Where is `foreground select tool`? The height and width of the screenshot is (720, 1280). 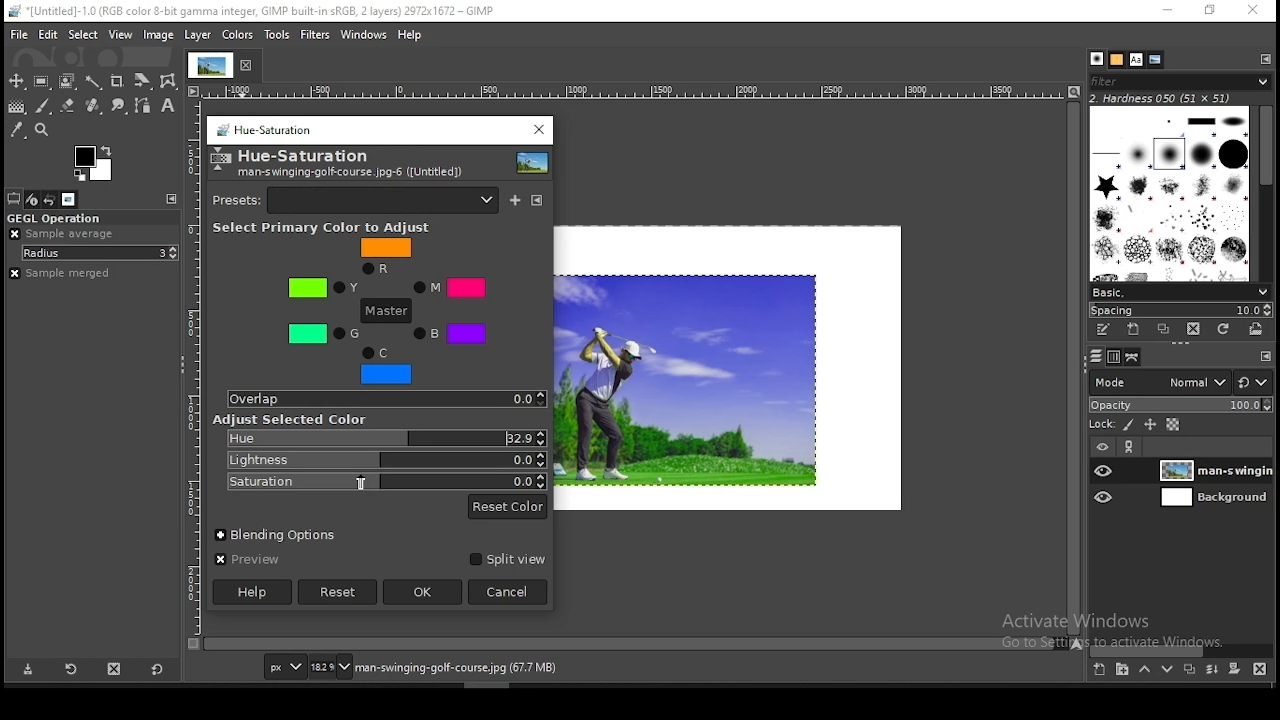 foreground select tool is located at coordinates (66, 81).